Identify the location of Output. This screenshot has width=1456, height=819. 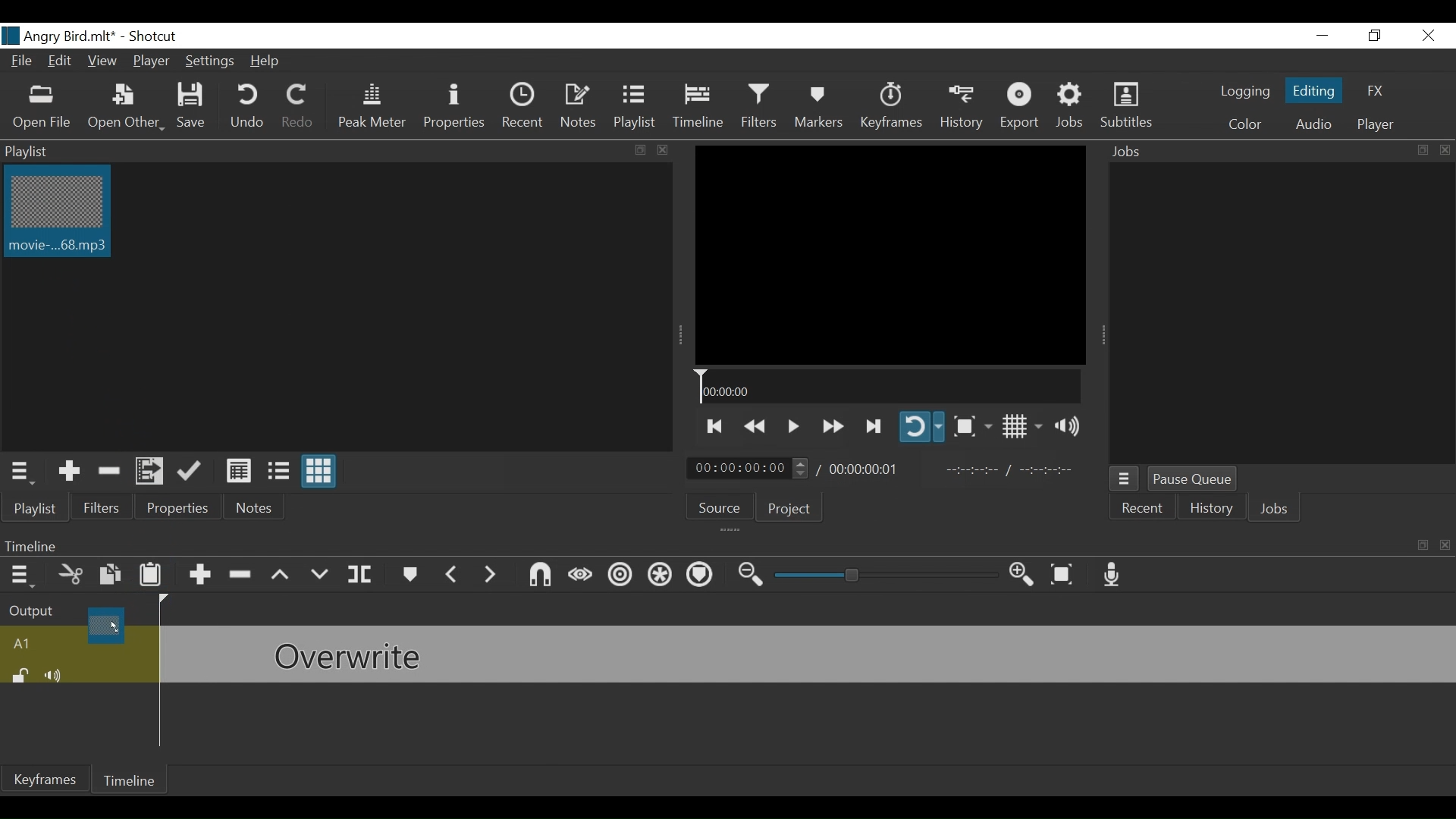
(74, 607).